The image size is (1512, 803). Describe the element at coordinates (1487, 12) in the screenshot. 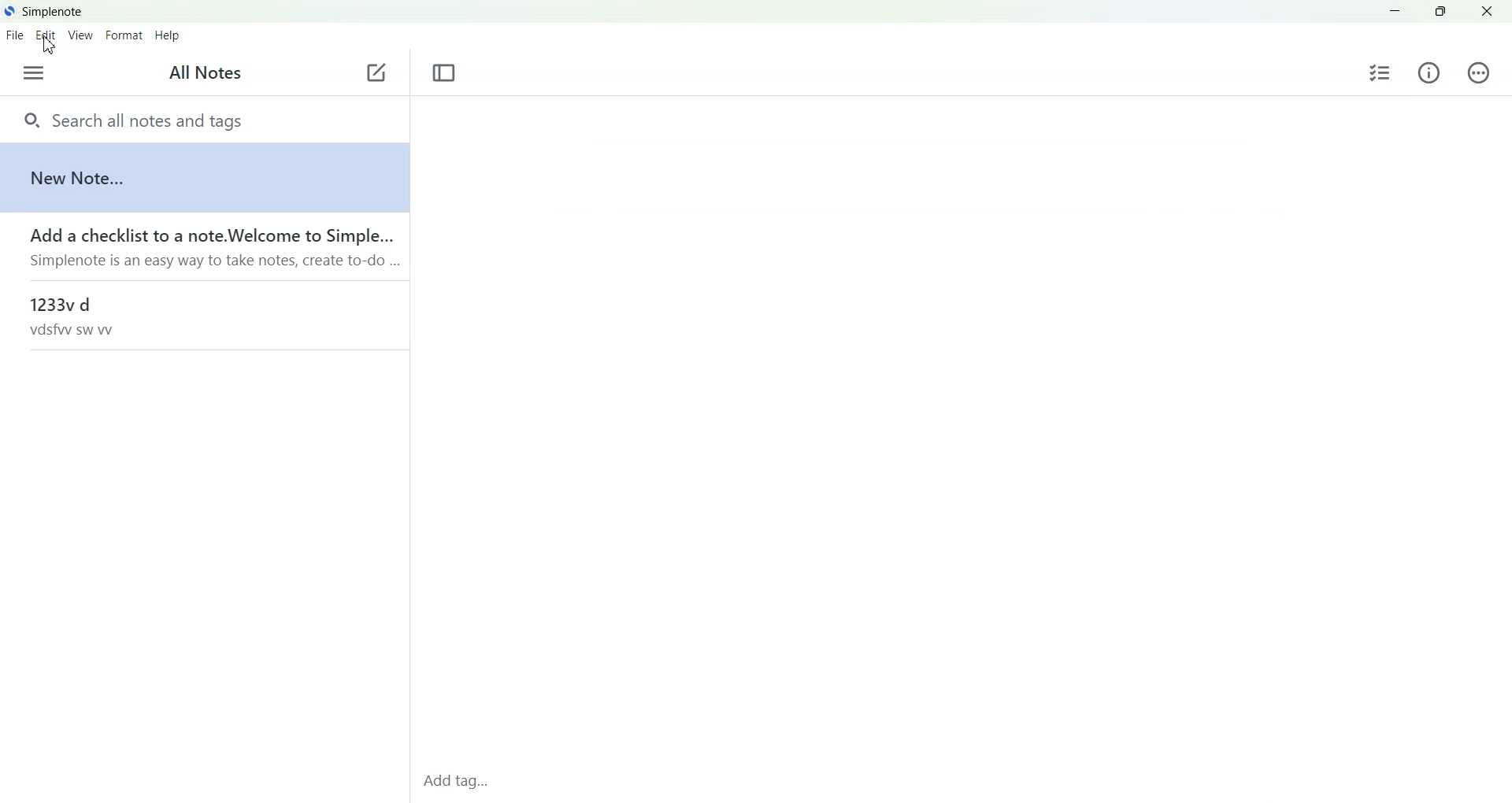

I see `Close` at that location.